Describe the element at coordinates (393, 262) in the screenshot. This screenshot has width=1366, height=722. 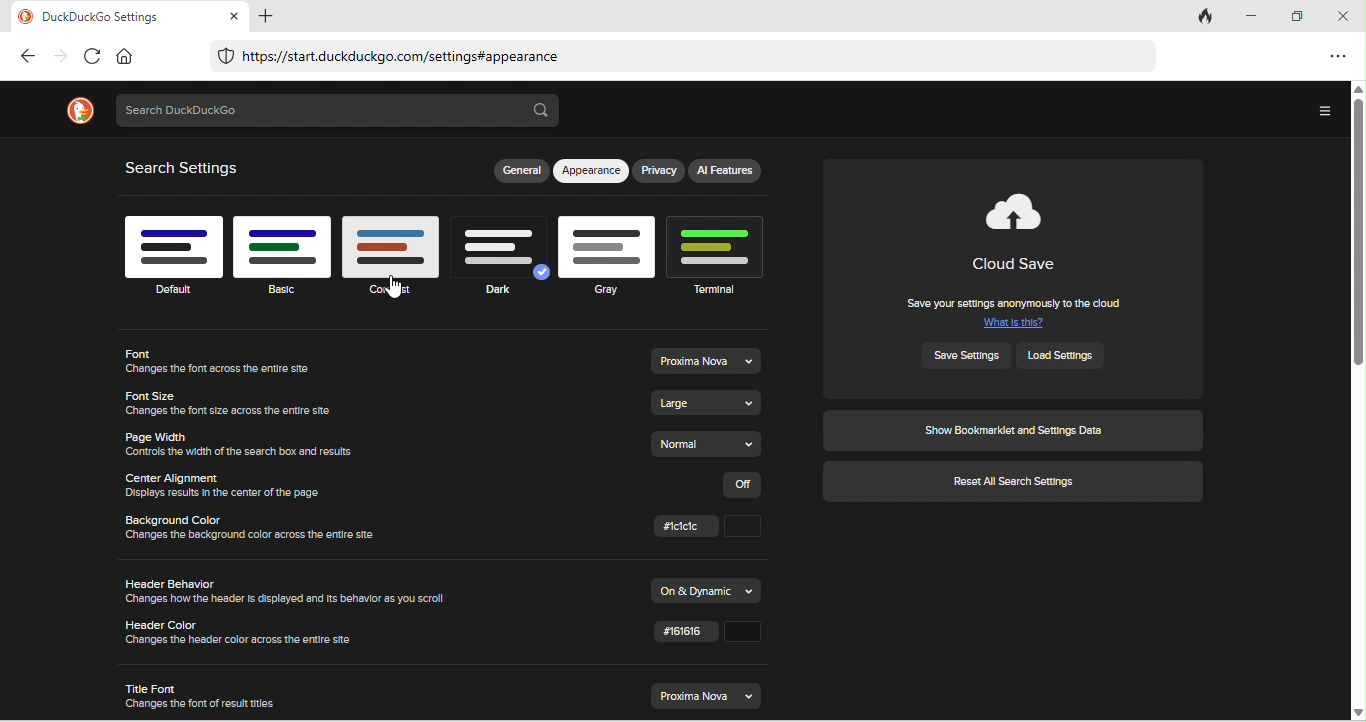
I see `contrast` at that location.